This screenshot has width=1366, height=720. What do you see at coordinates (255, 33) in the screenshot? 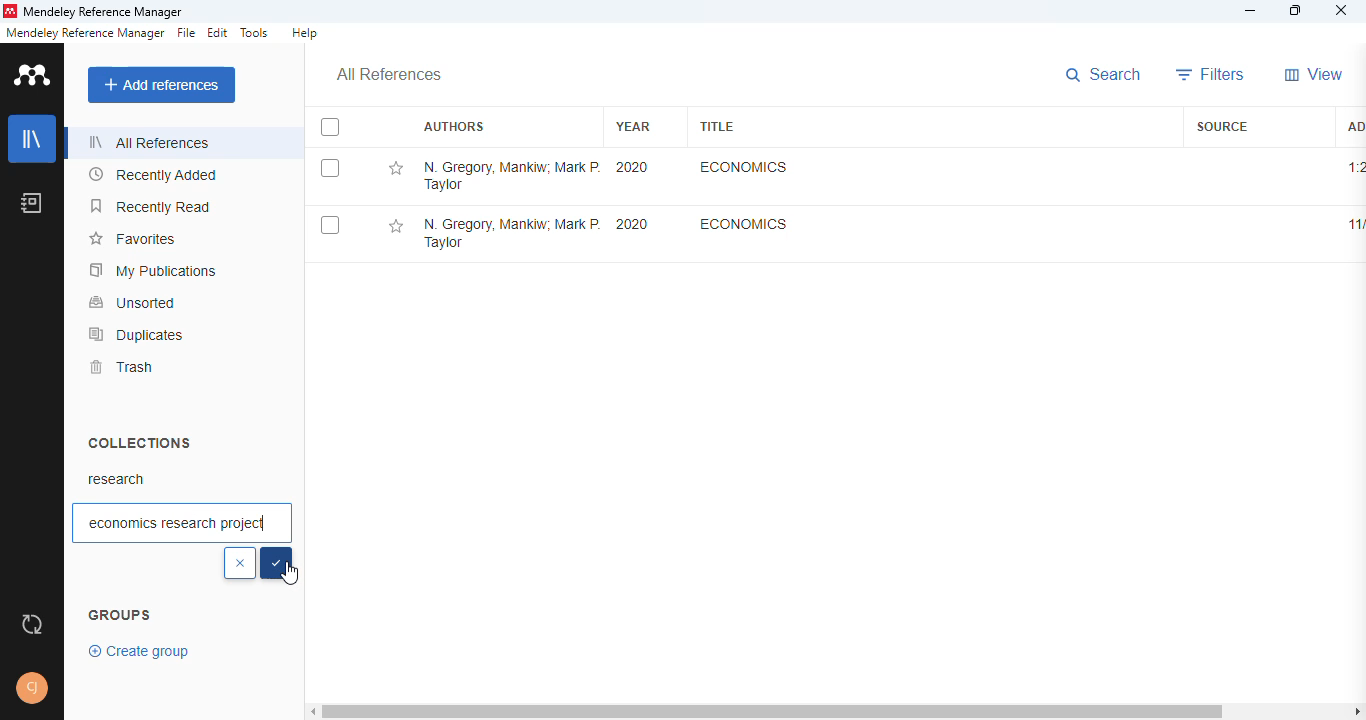
I see `tools` at bounding box center [255, 33].